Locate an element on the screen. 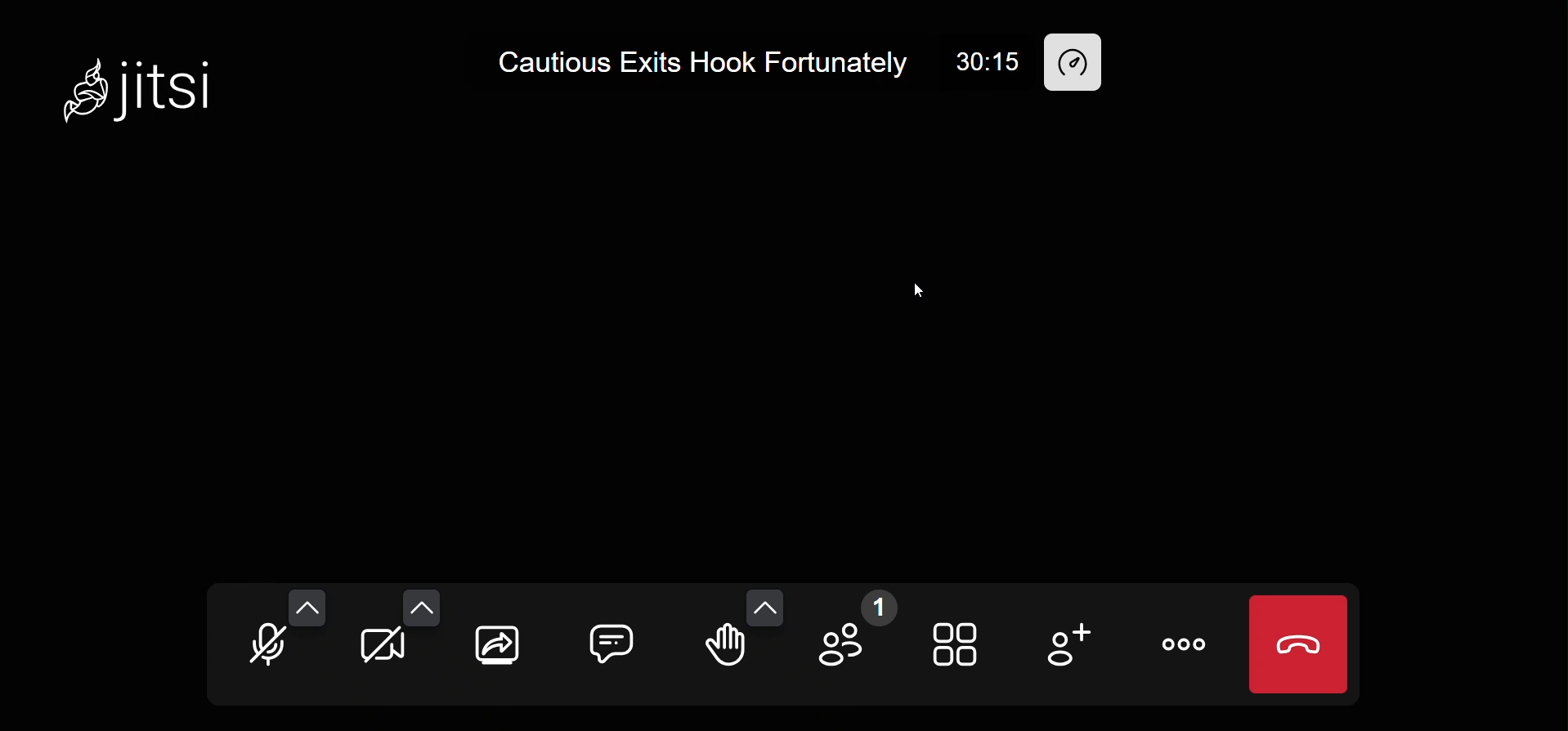 This screenshot has height=731, width=1568. microphone is located at coordinates (271, 647).